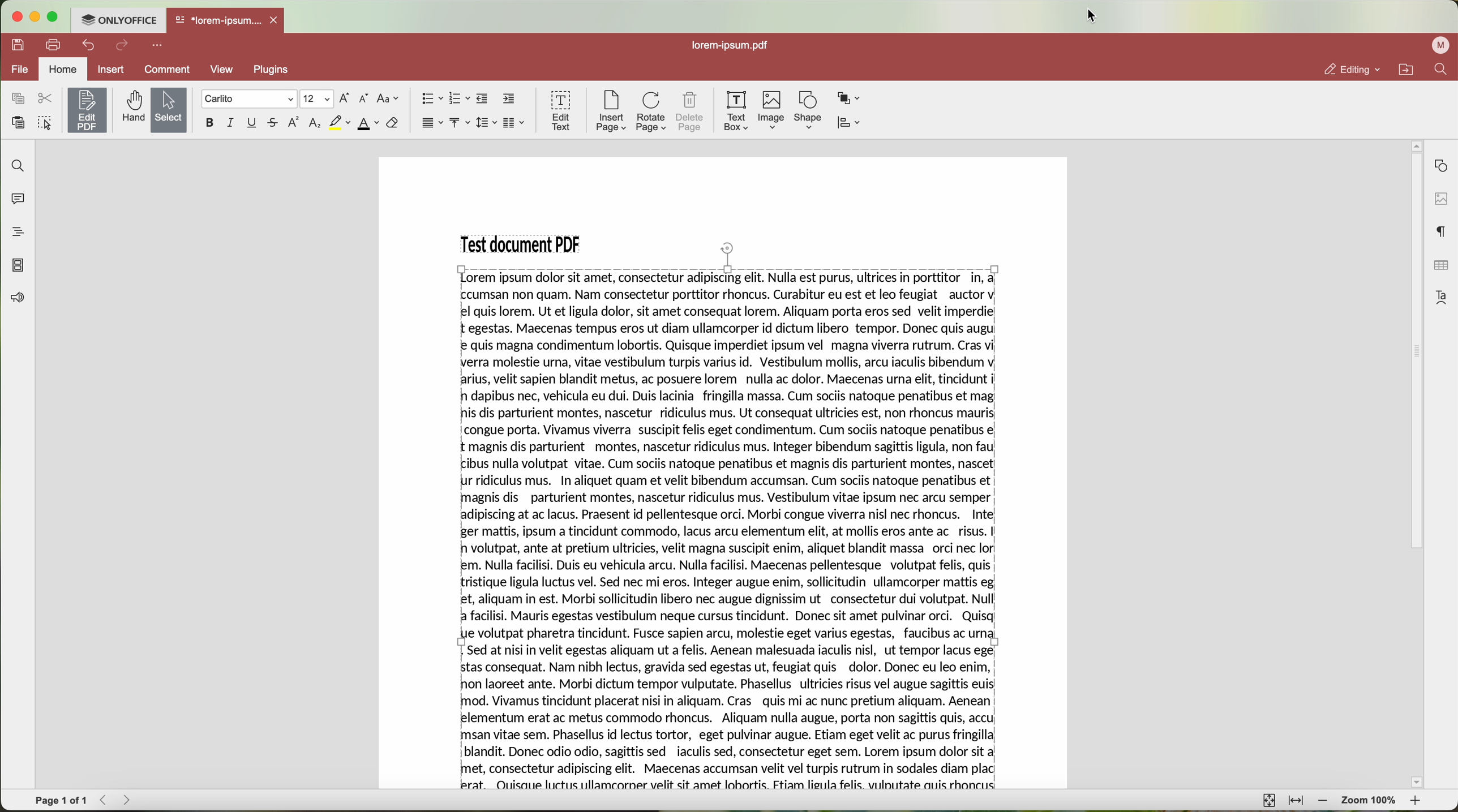 The image size is (1458, 812). Describe the element at coordinates (18, 45) in the screenshot. I see `save` at that location.